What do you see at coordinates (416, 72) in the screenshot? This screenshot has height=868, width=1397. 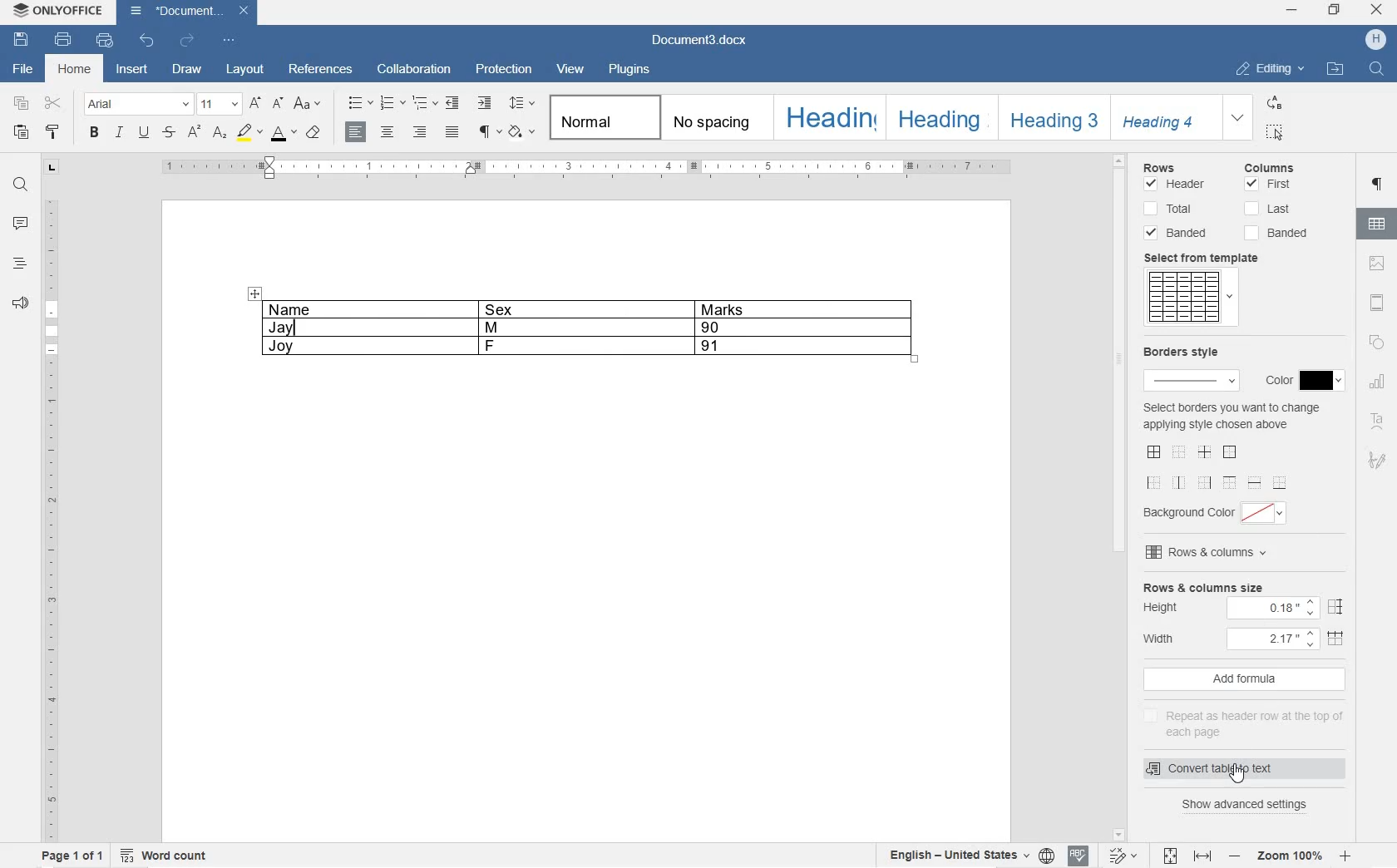 I see `COLLABORATION` at bounding box center [416, 72].